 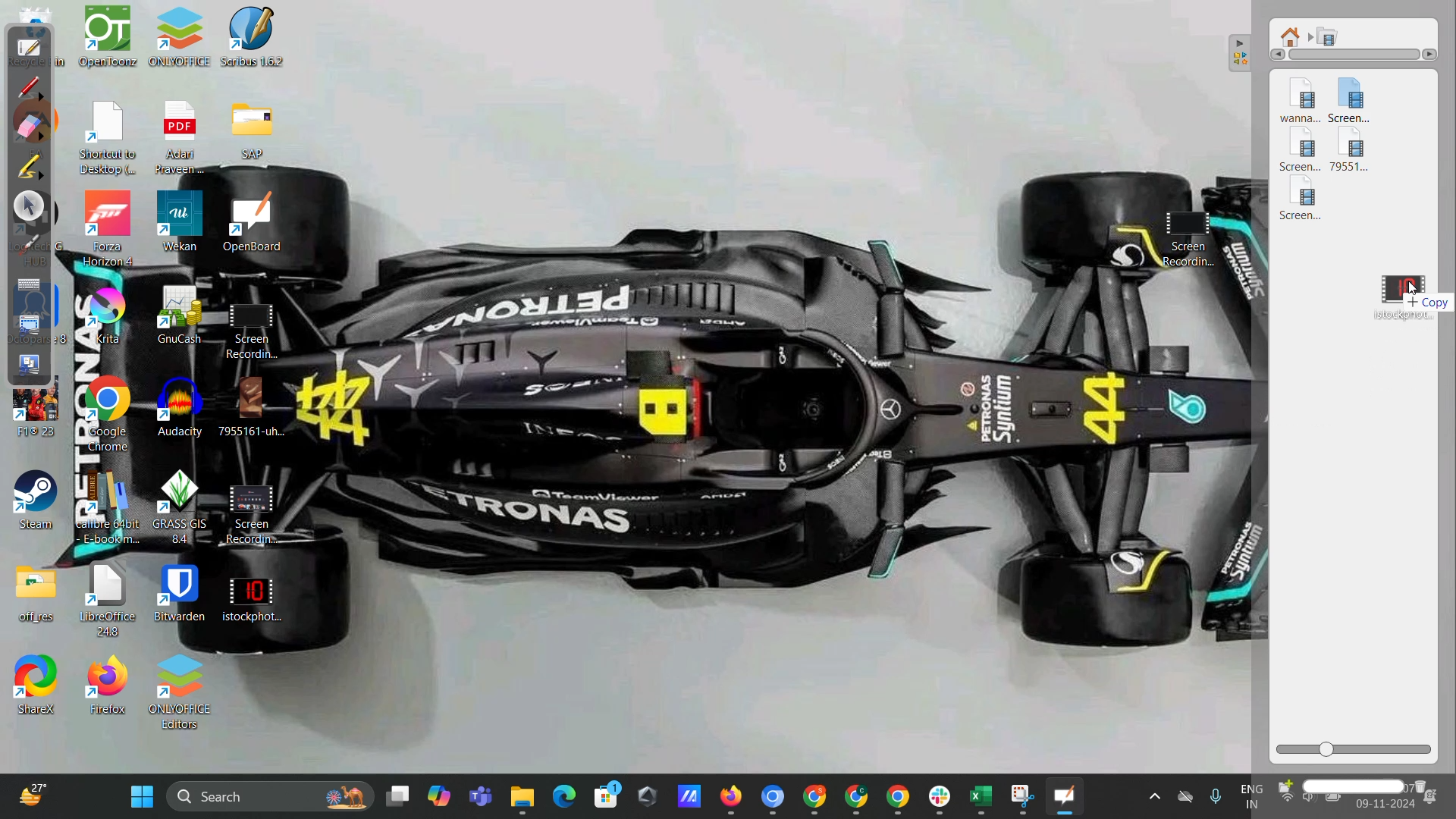 What do you see at coordinates (1188, 242) in the screenshot?
I see `Screen Recording` at bounding box center [1188, 242].